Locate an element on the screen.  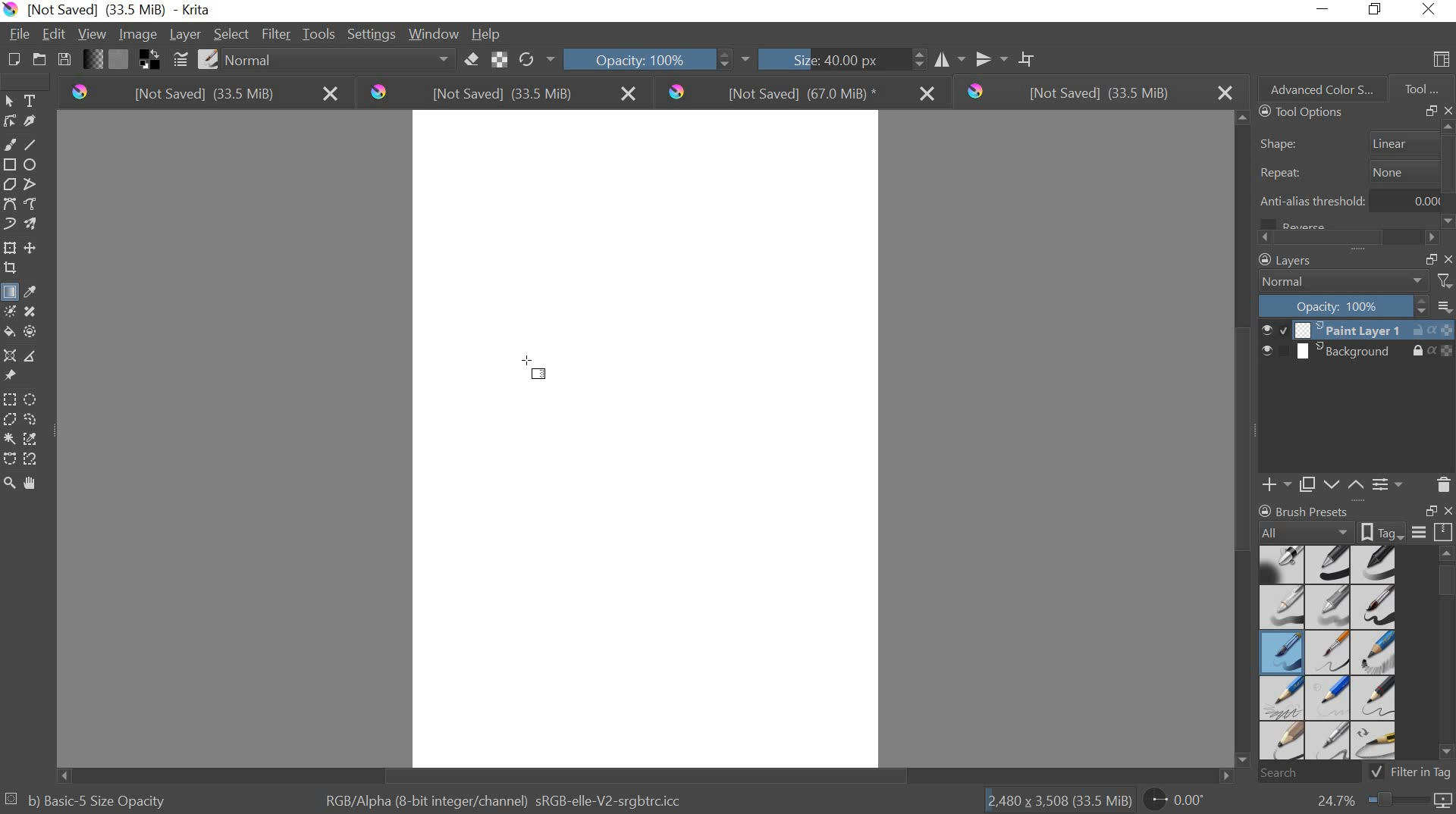
SWAP FOREGROUND AND BACKGROUND COLORS is located at coordinates (149, 61).